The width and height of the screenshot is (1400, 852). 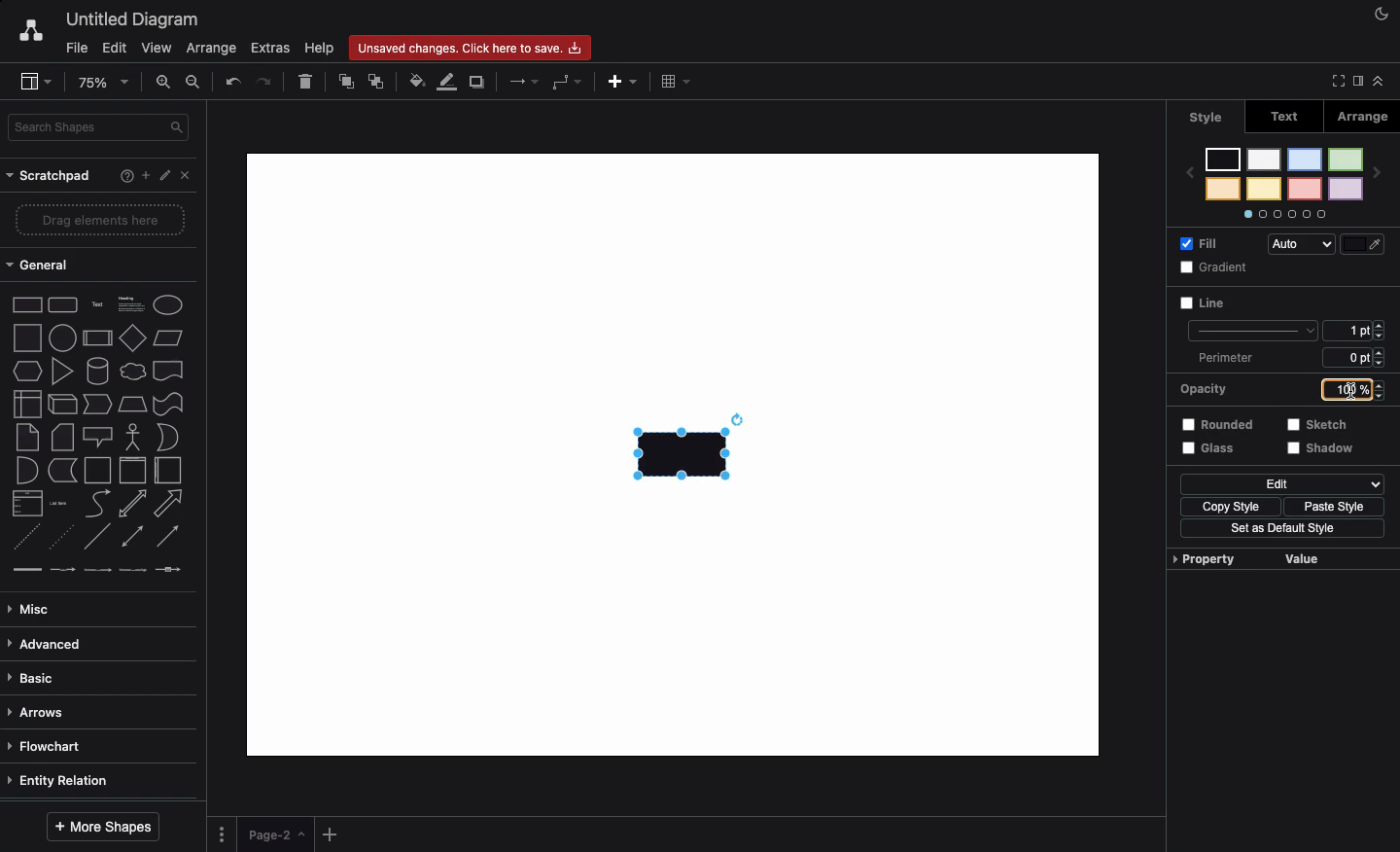 I want to click on Page, so click(x=275, y=834).